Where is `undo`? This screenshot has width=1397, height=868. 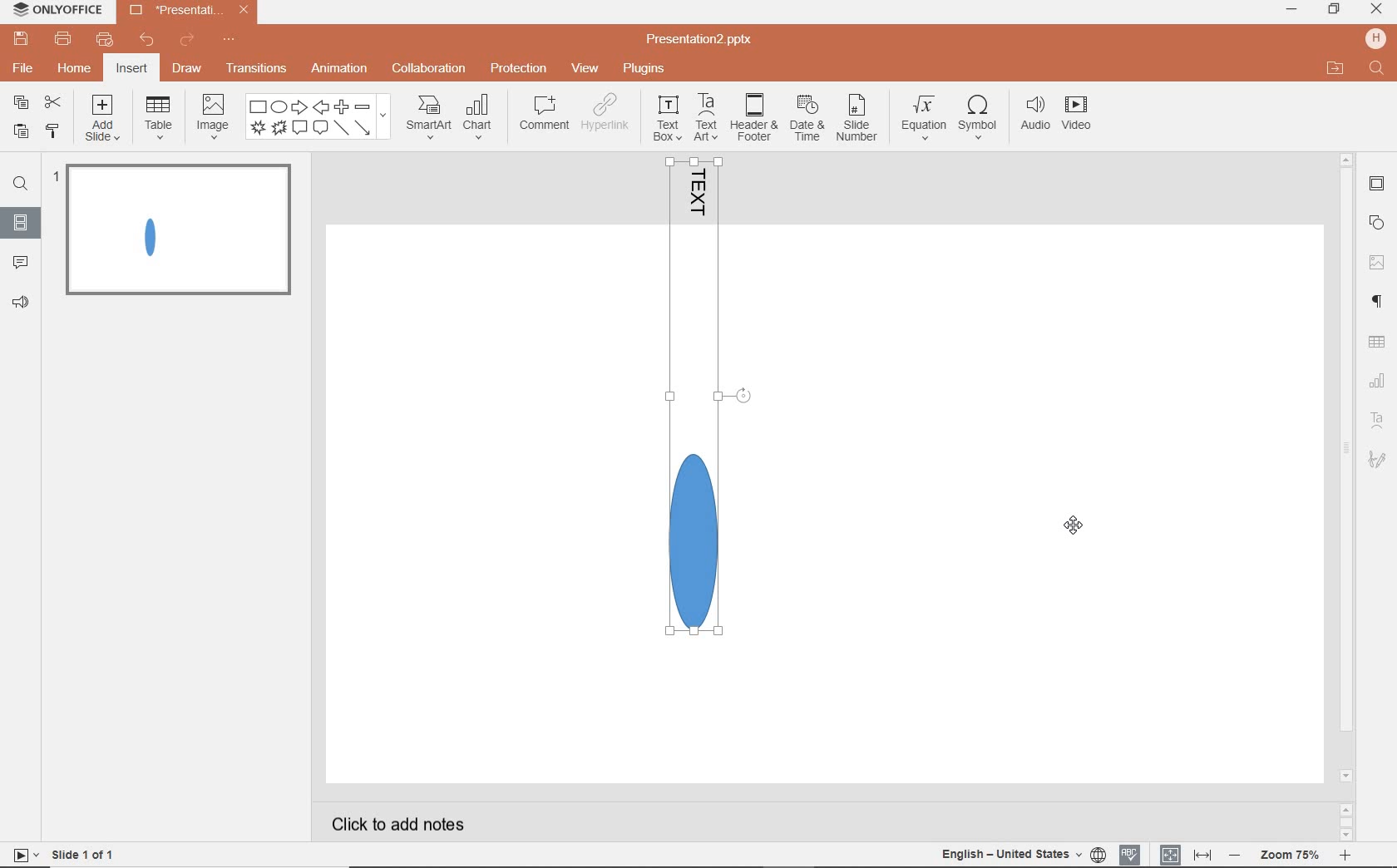 undo is located at coordinates (141, 41).